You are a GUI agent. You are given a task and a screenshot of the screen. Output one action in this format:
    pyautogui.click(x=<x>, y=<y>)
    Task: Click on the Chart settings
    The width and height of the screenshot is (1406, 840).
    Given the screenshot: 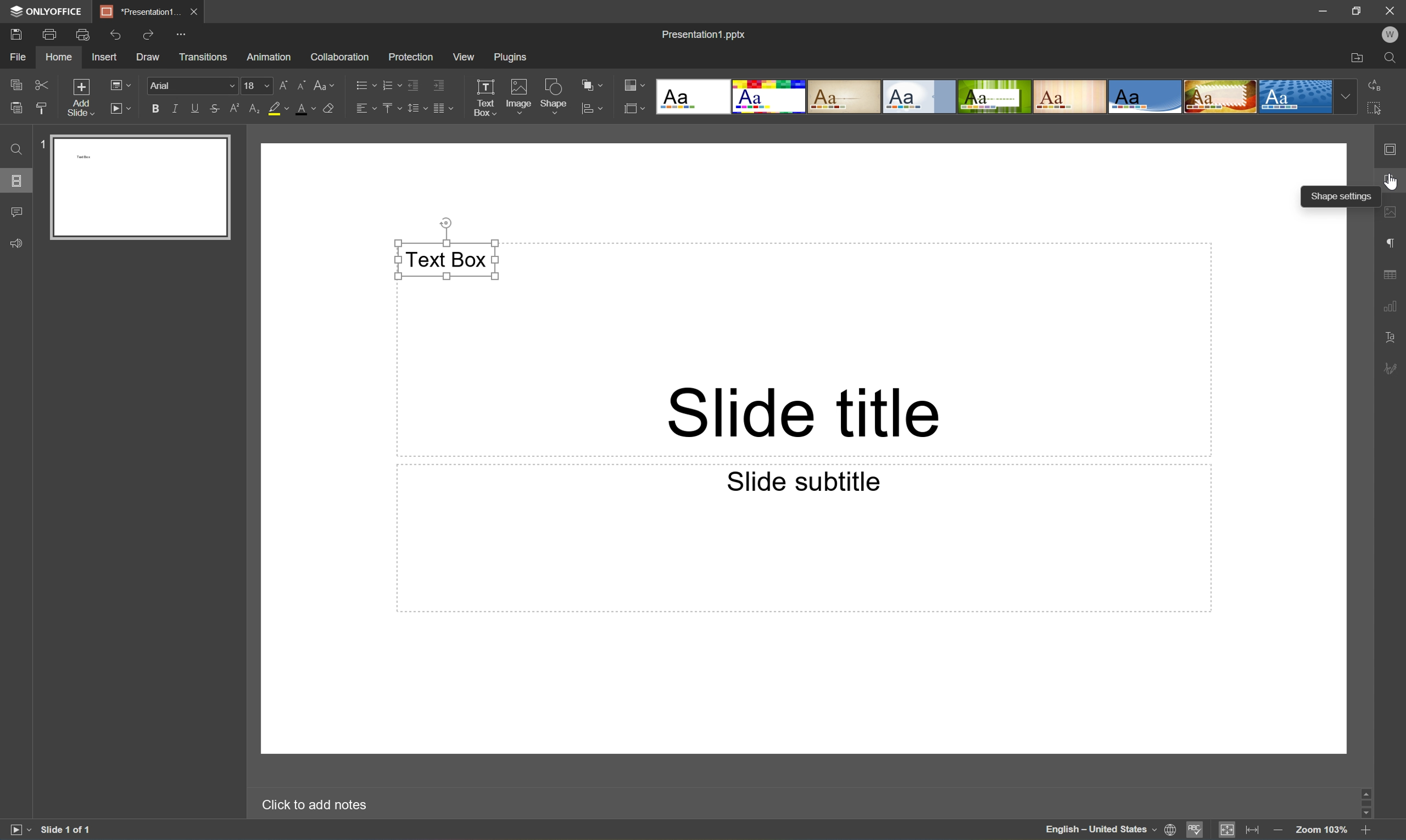 What is the action you would take?
    pyautogui.click(x=1395, y=310)
    